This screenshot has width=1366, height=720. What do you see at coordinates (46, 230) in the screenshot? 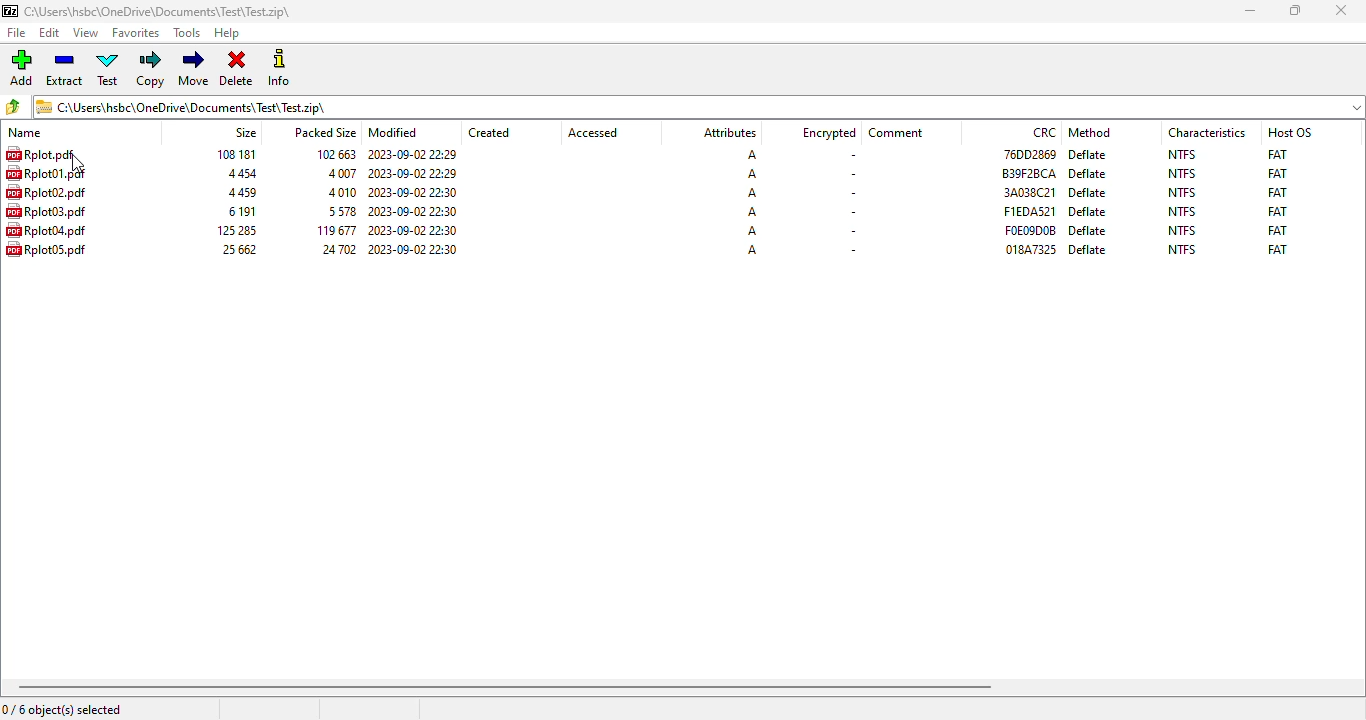
I see `file` at bounding box center [46, 230].